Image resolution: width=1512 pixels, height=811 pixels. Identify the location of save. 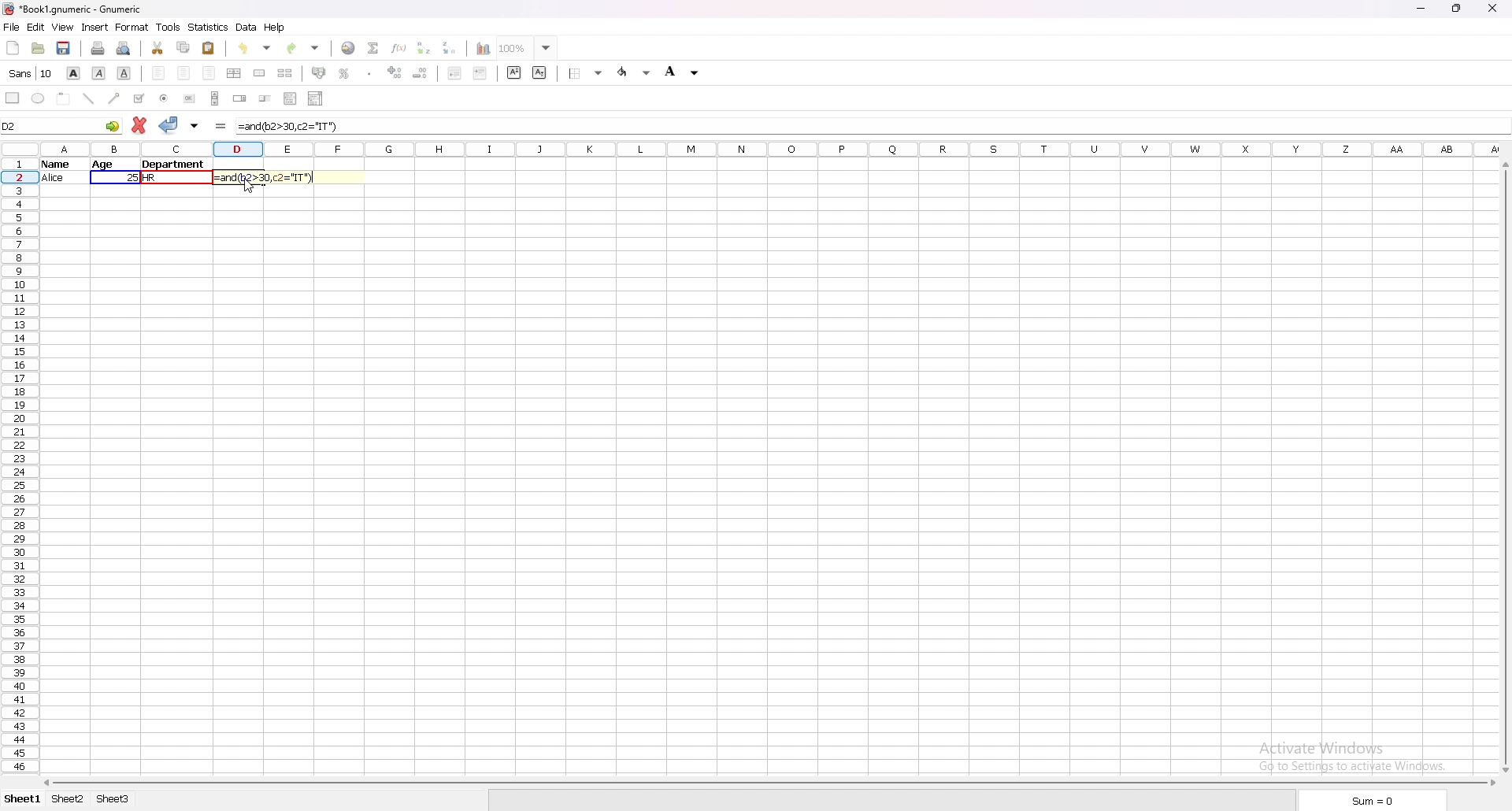
(62, 49).